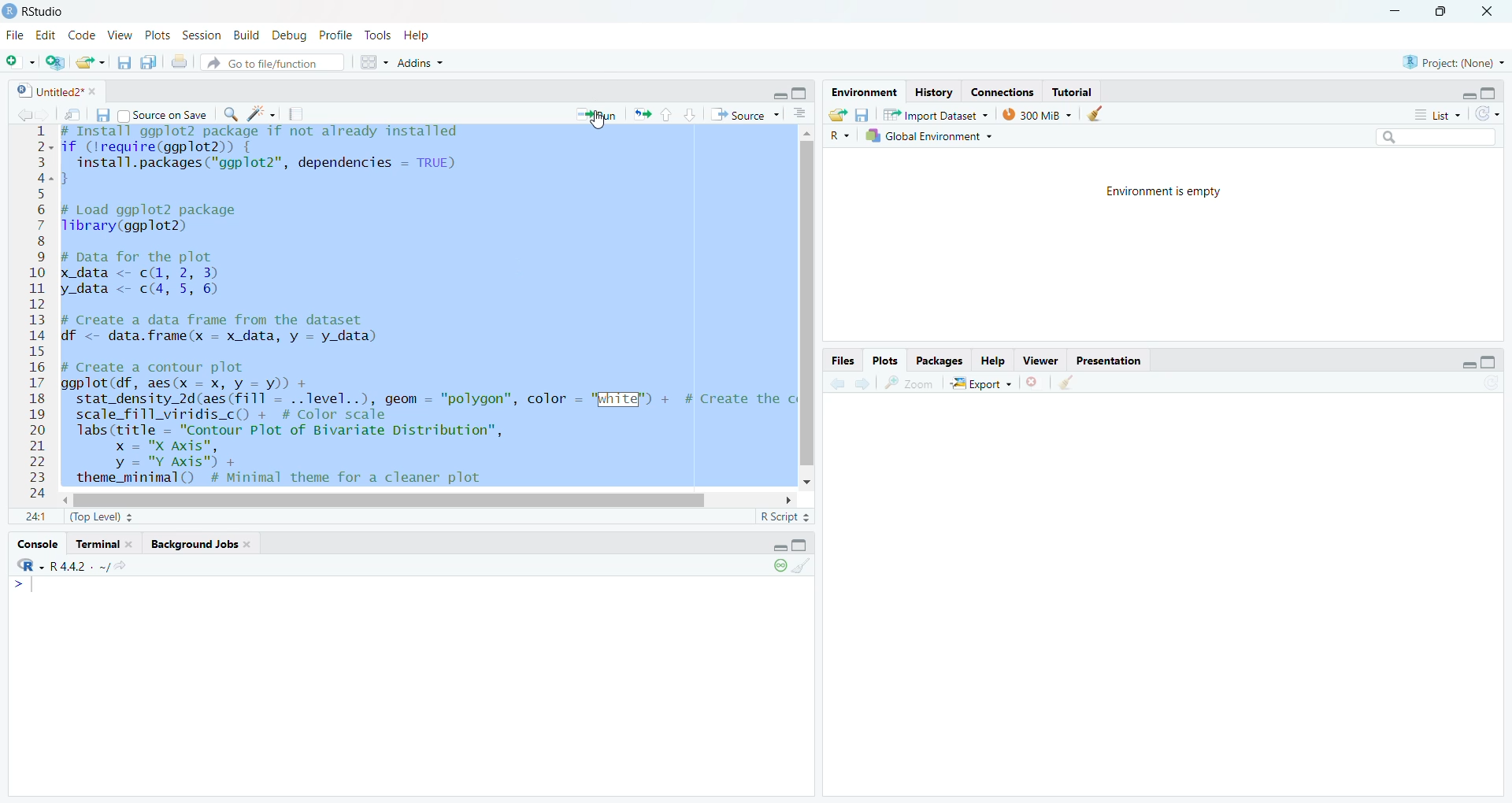 The width and height of the screenshot is (1512, 803). I want to click on Plots, so click(883, 361).